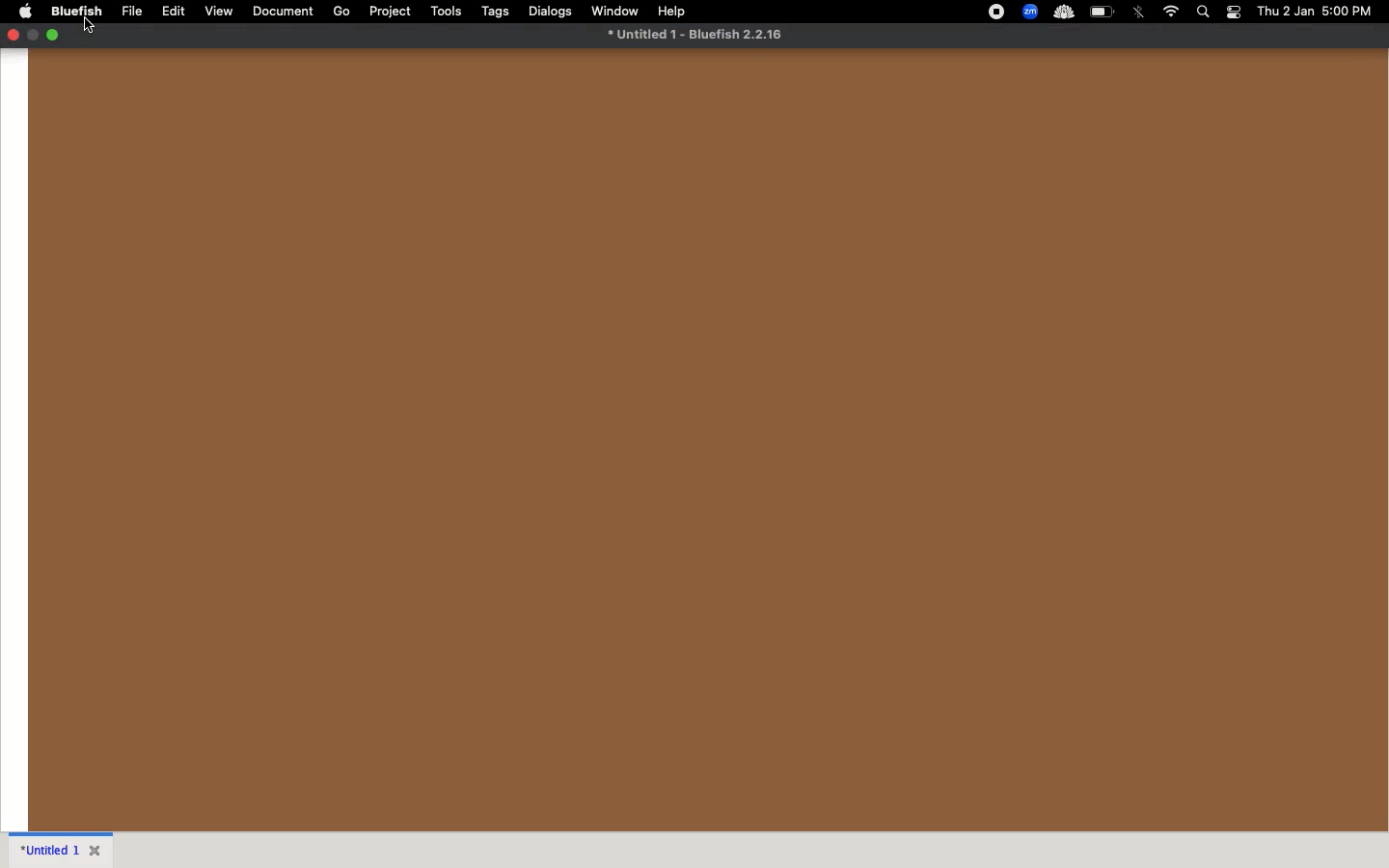 The height and width of the screenshot is (868, 1389). Describe the element at coordinates (97, 851) in the screenshot. I see `Close` at that location.